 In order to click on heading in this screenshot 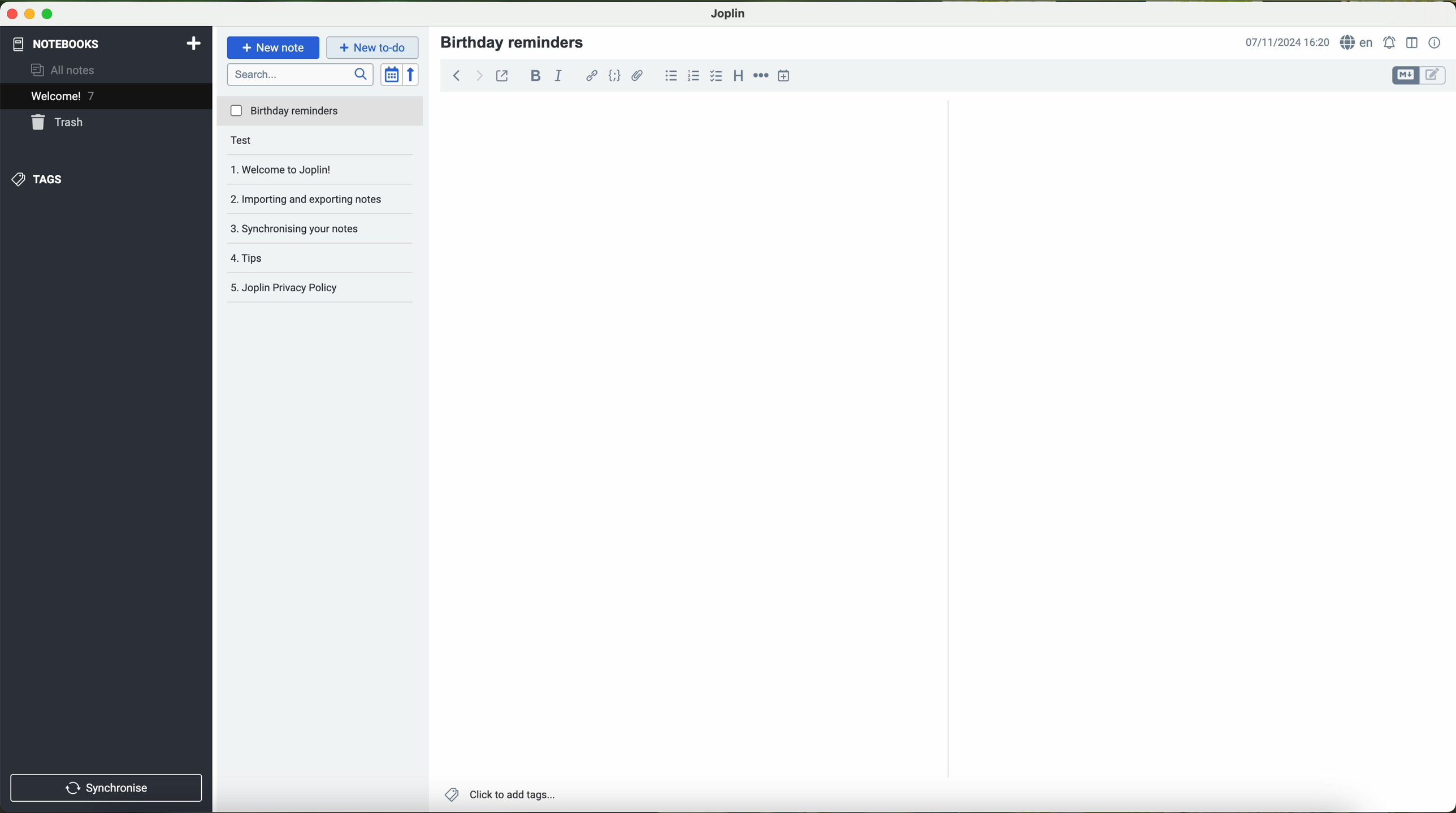, I will do `click(738, 77)`.